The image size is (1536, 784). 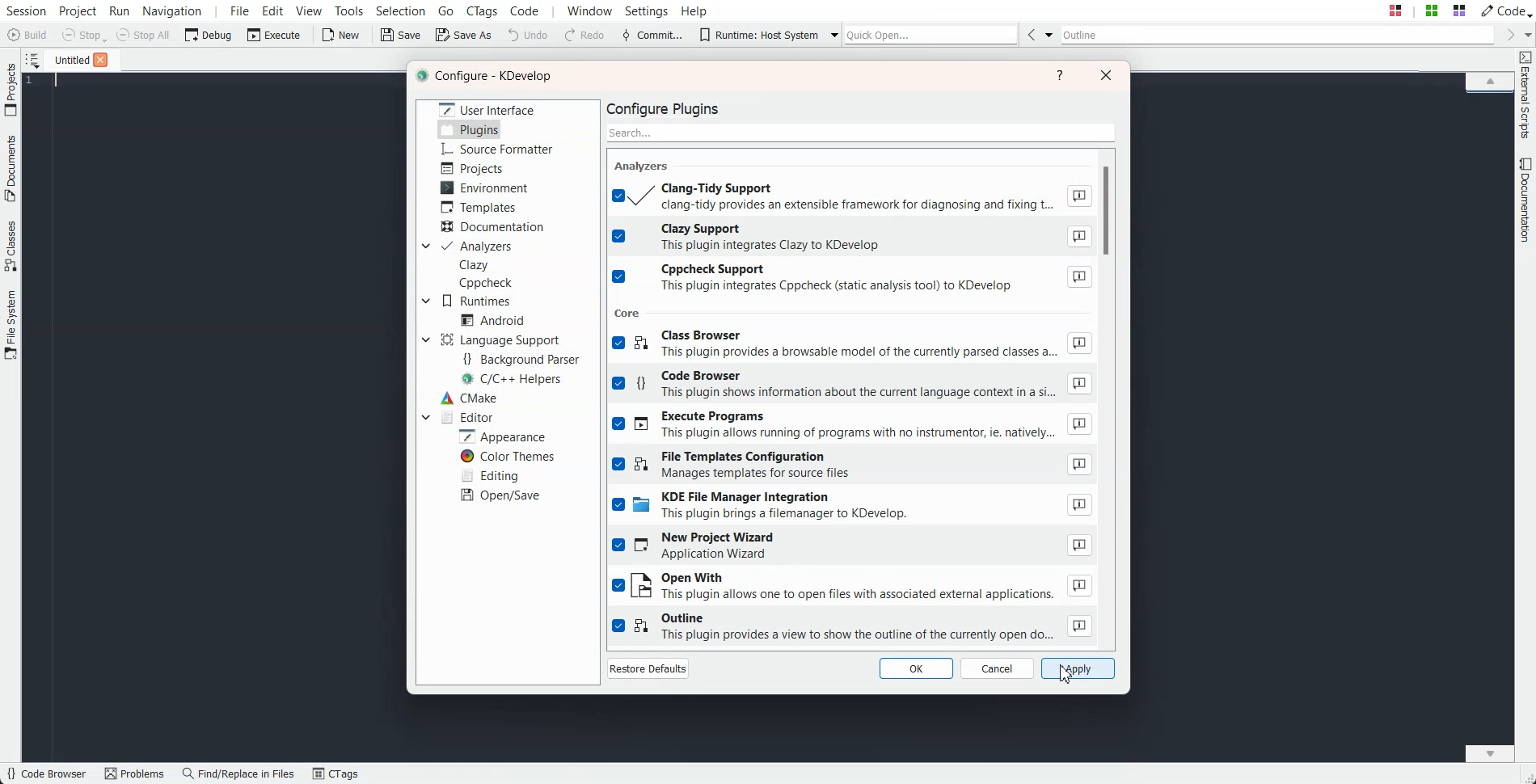 I want to click on Drop down box, so click(x=830, y=34).